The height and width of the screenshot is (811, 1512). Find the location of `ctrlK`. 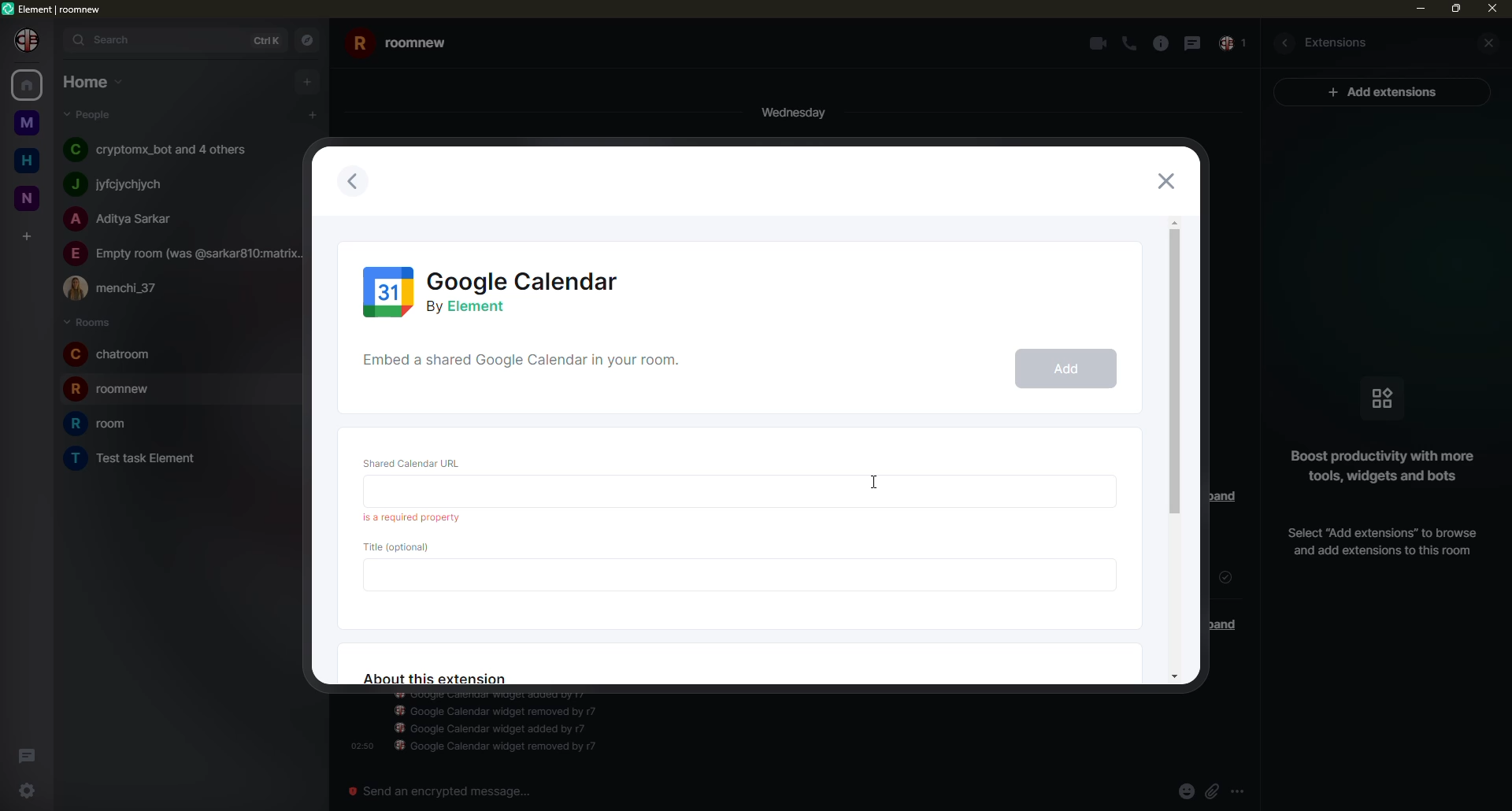

ctrlK is located at coordinates (267, 39).